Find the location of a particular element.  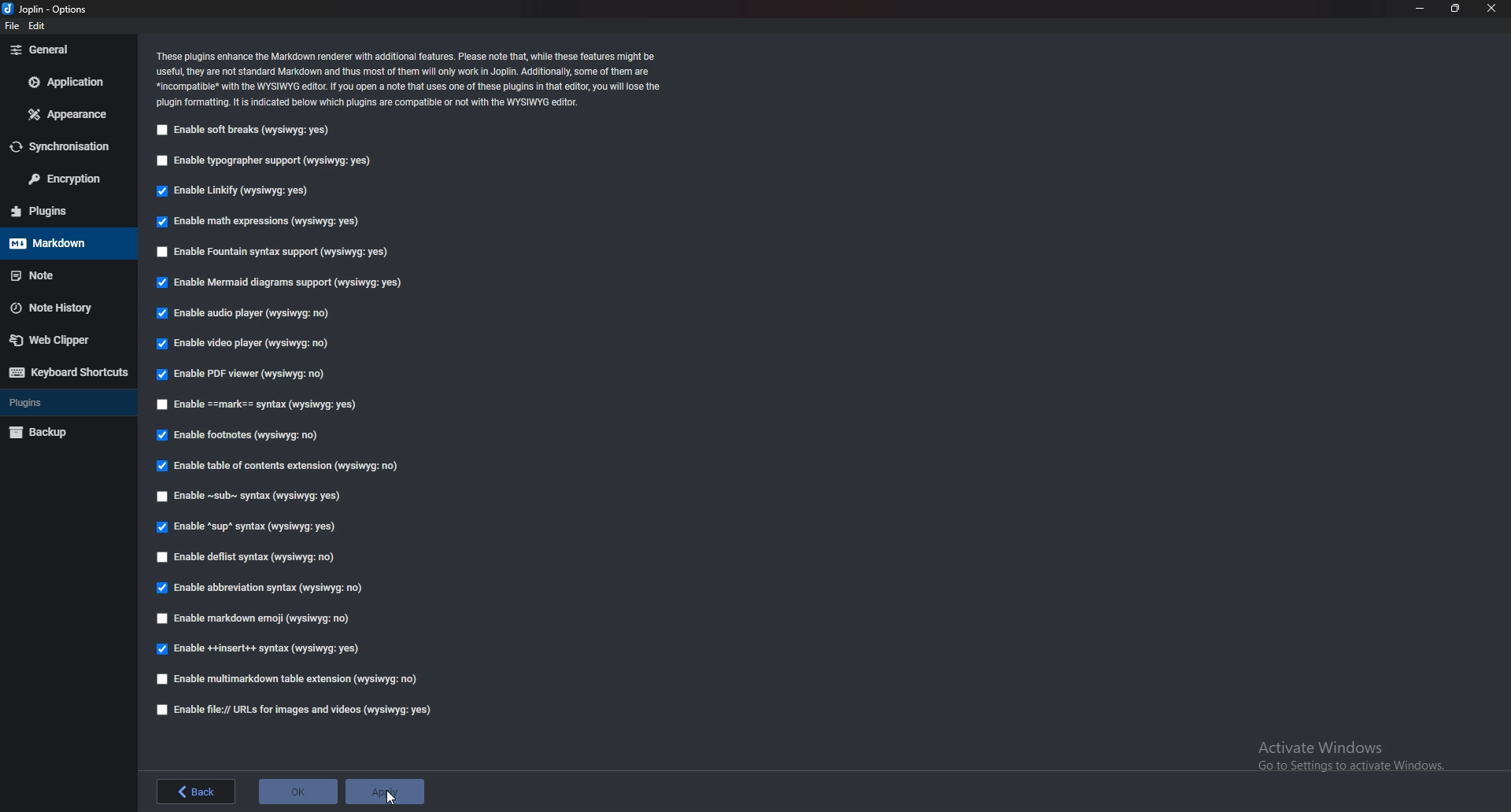

Enable sup syntax is located at coordinates (247, 528).